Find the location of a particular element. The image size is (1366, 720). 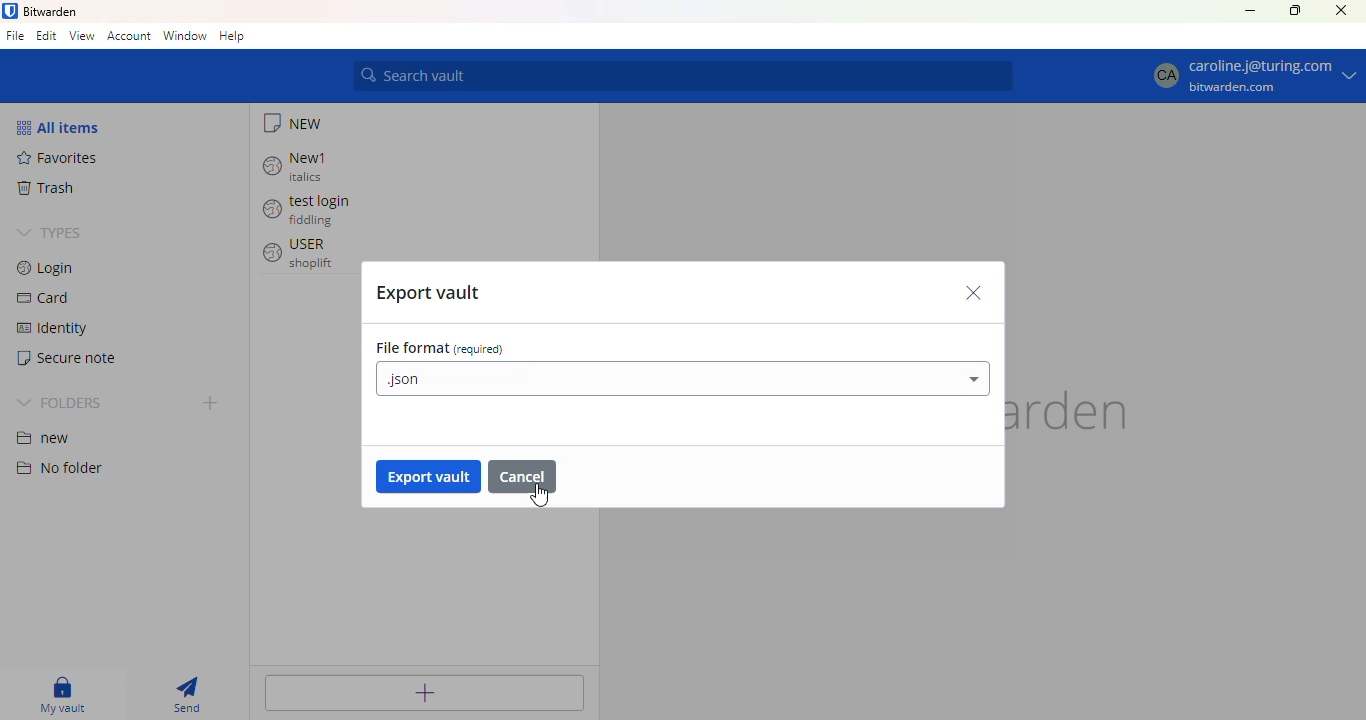

file is located at coordinates (15, 35).